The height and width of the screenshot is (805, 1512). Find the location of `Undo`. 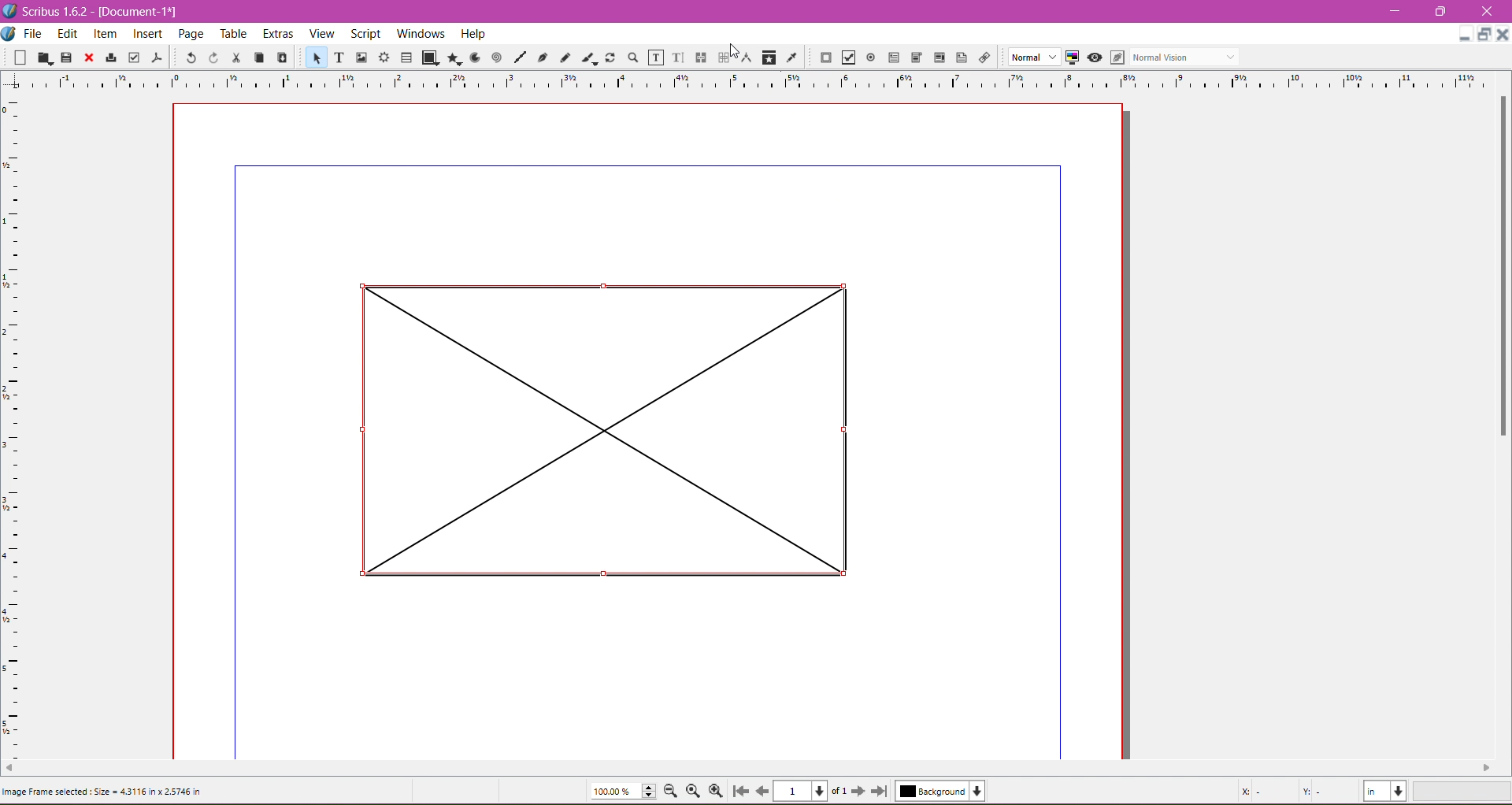

Undo is located at coordinates (191, 57).